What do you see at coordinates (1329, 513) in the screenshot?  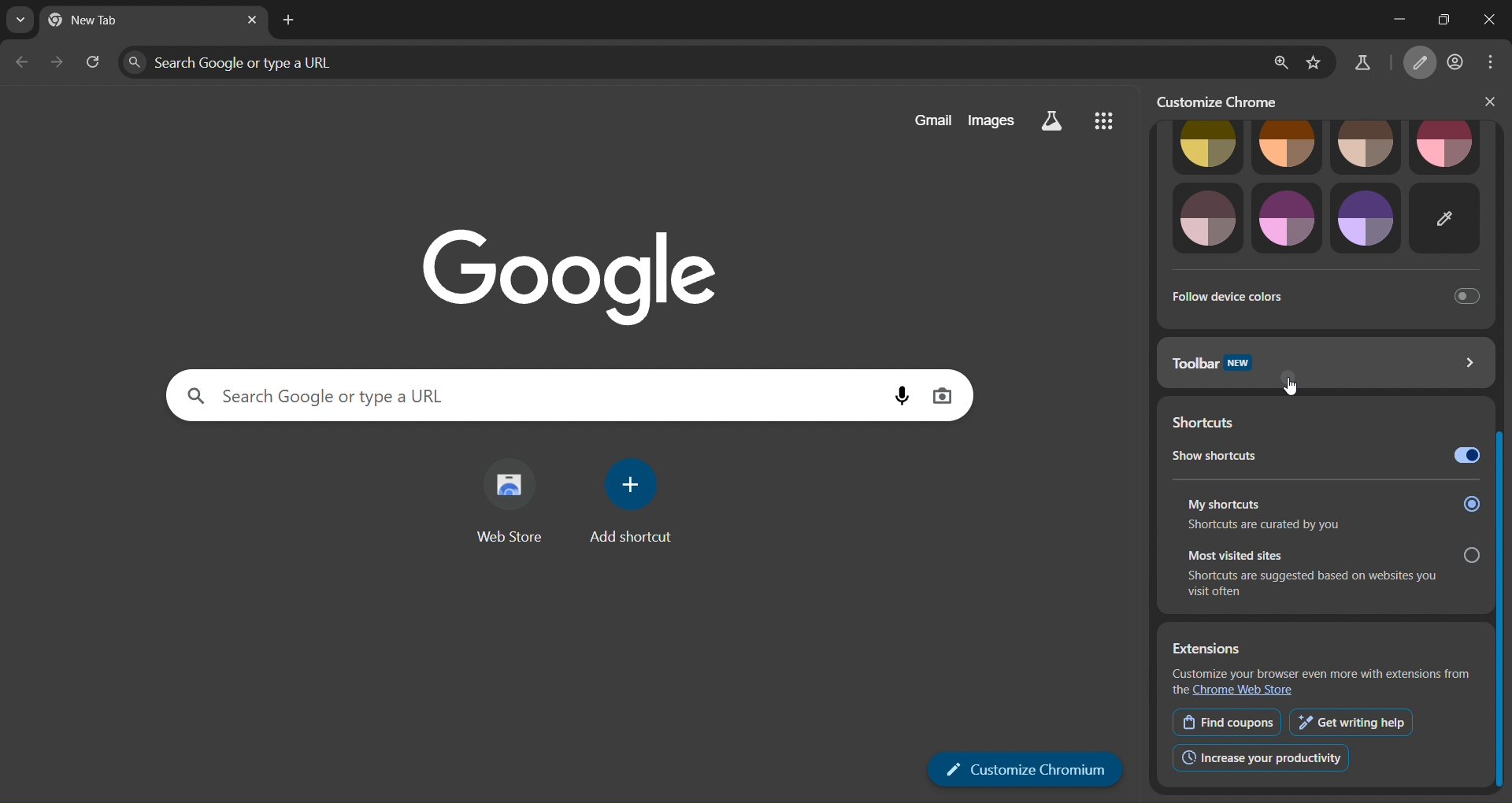 I see `My shortcuts
Shortcuts are curated by you` at bounding box center [1329, 513].